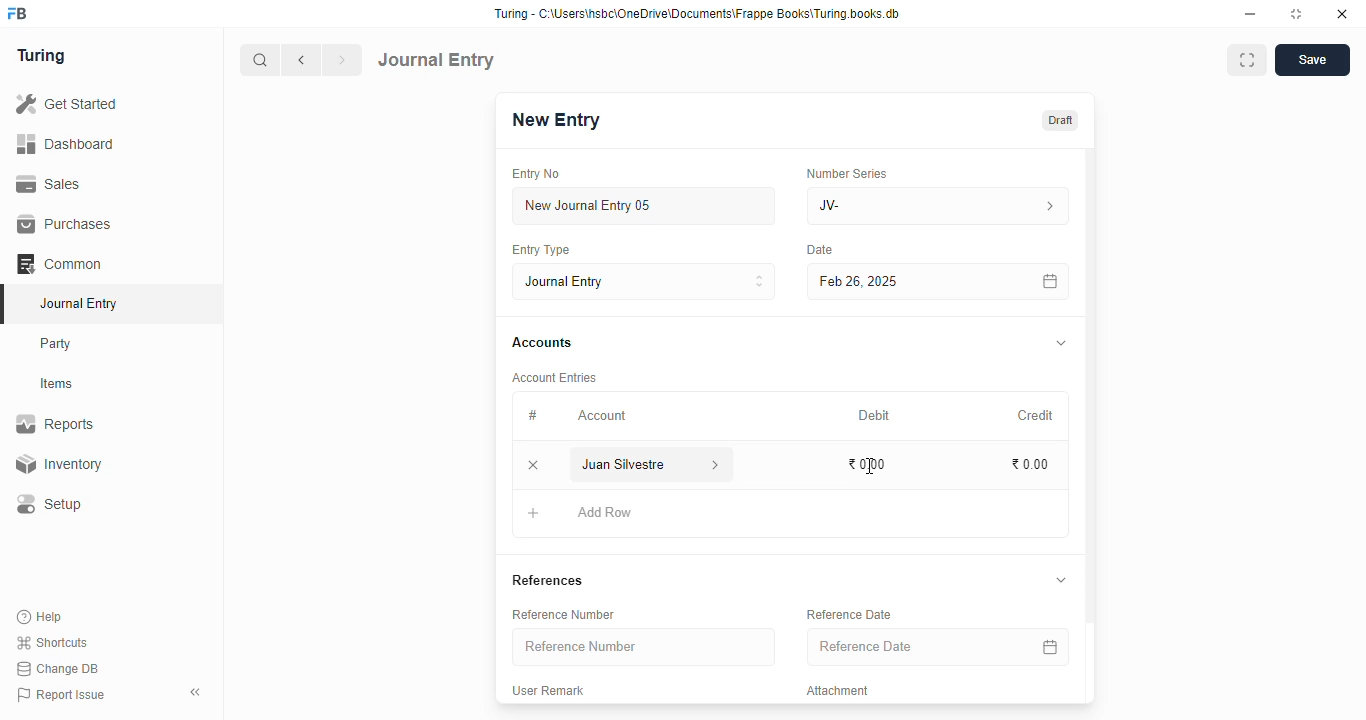 The width and height of the screenshot is (1366, 720). Describe the element at coordinates (554, 377) in the screenshot. I see `account entries` at that location.